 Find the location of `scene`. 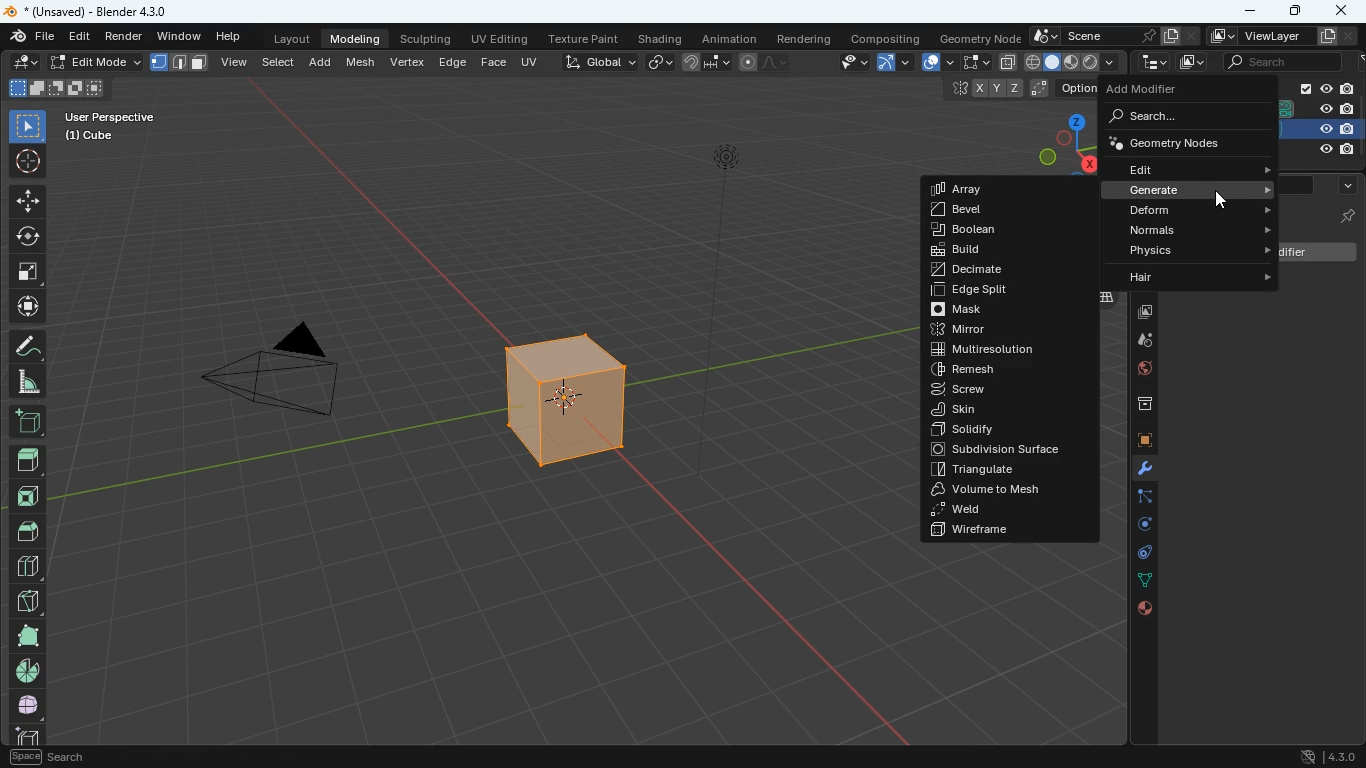

scene is located at coordinates (1114, 34).